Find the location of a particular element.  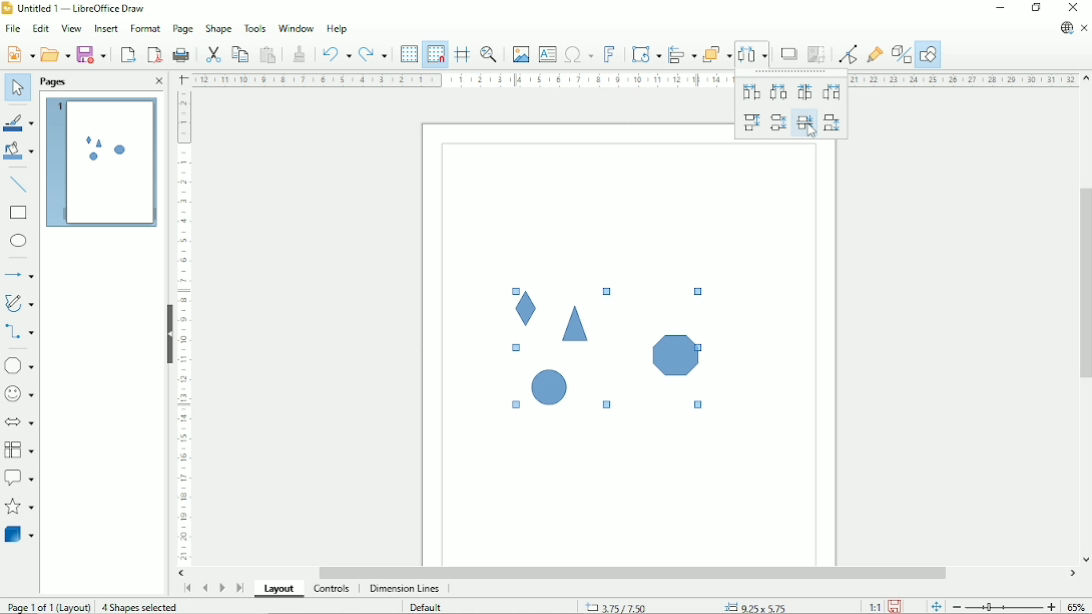

dimension lines is located at coordinates (404, 589).